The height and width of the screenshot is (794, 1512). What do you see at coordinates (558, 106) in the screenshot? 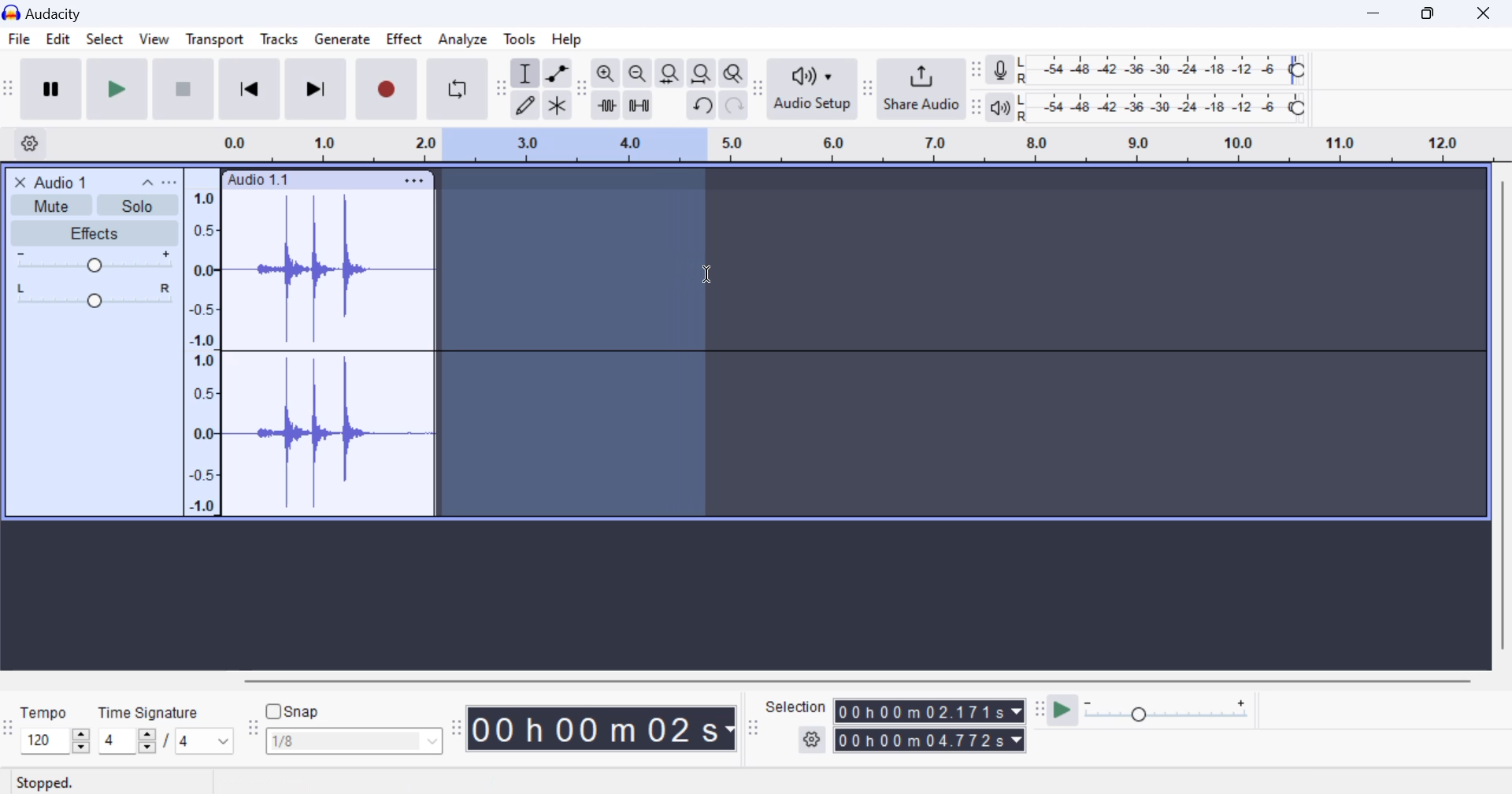
I see `multi tool` at bounding box center [558, 106].